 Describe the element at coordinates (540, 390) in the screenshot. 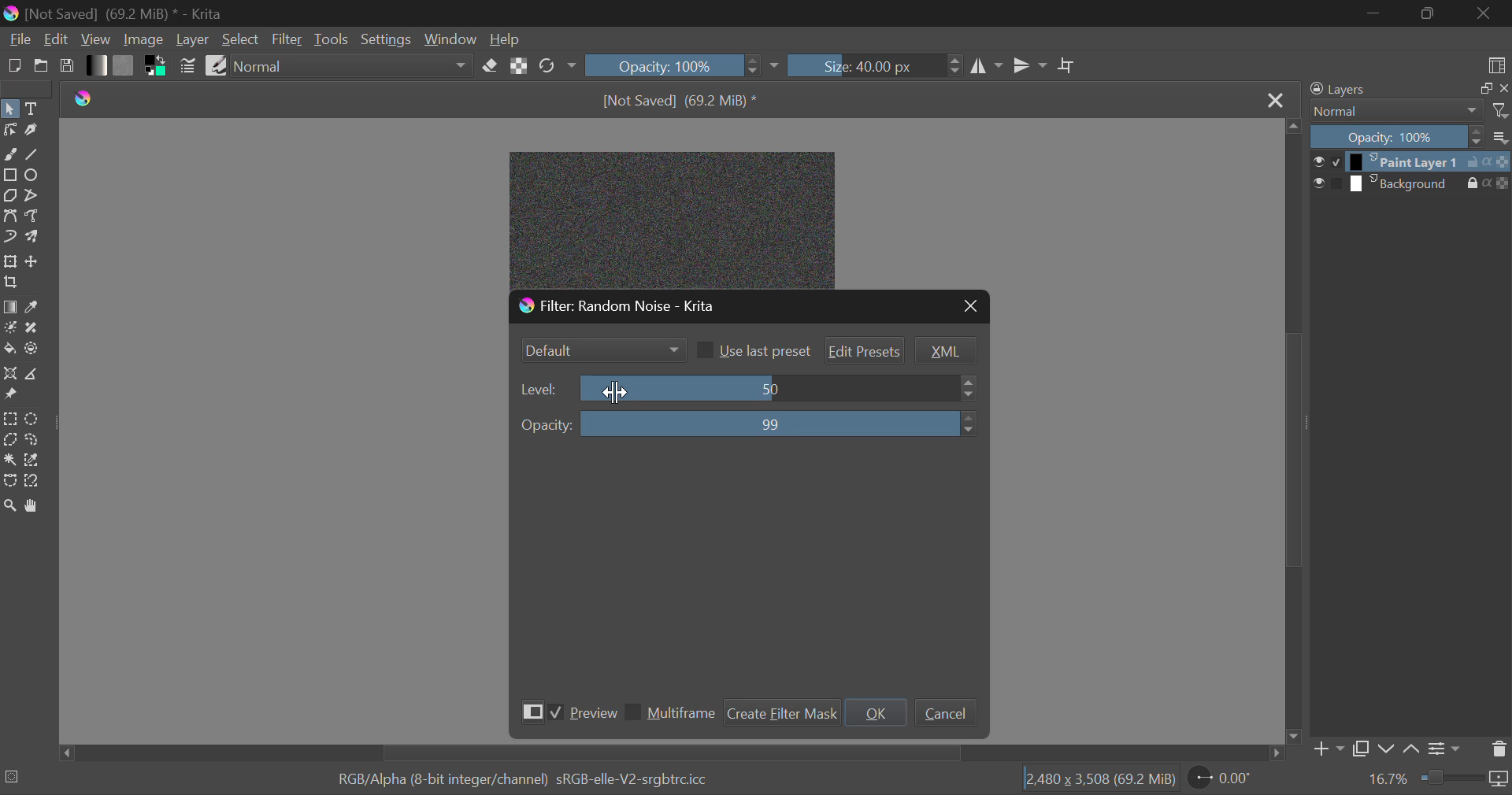

I see `level` at that location.